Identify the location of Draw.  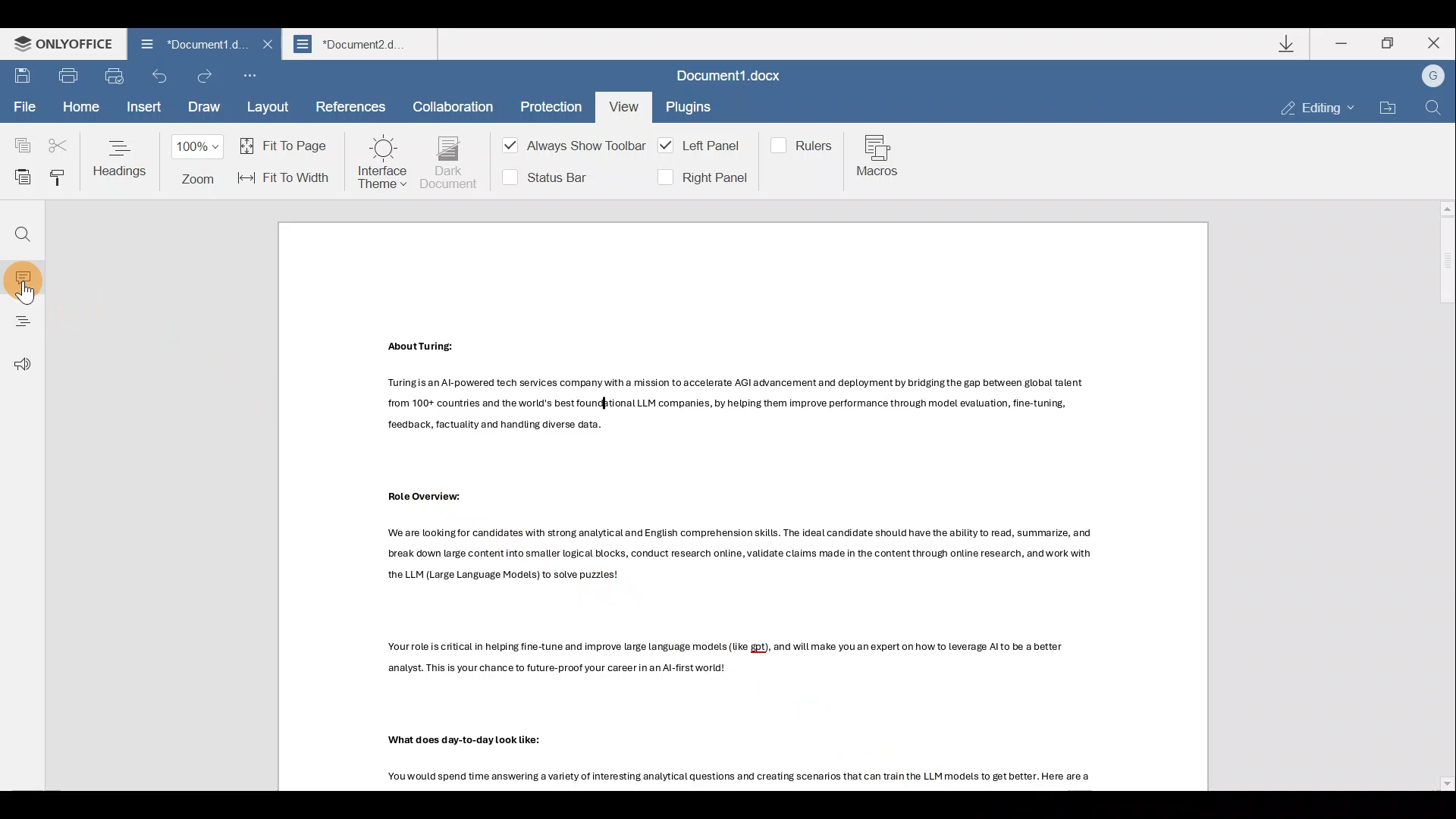
(202, 108).